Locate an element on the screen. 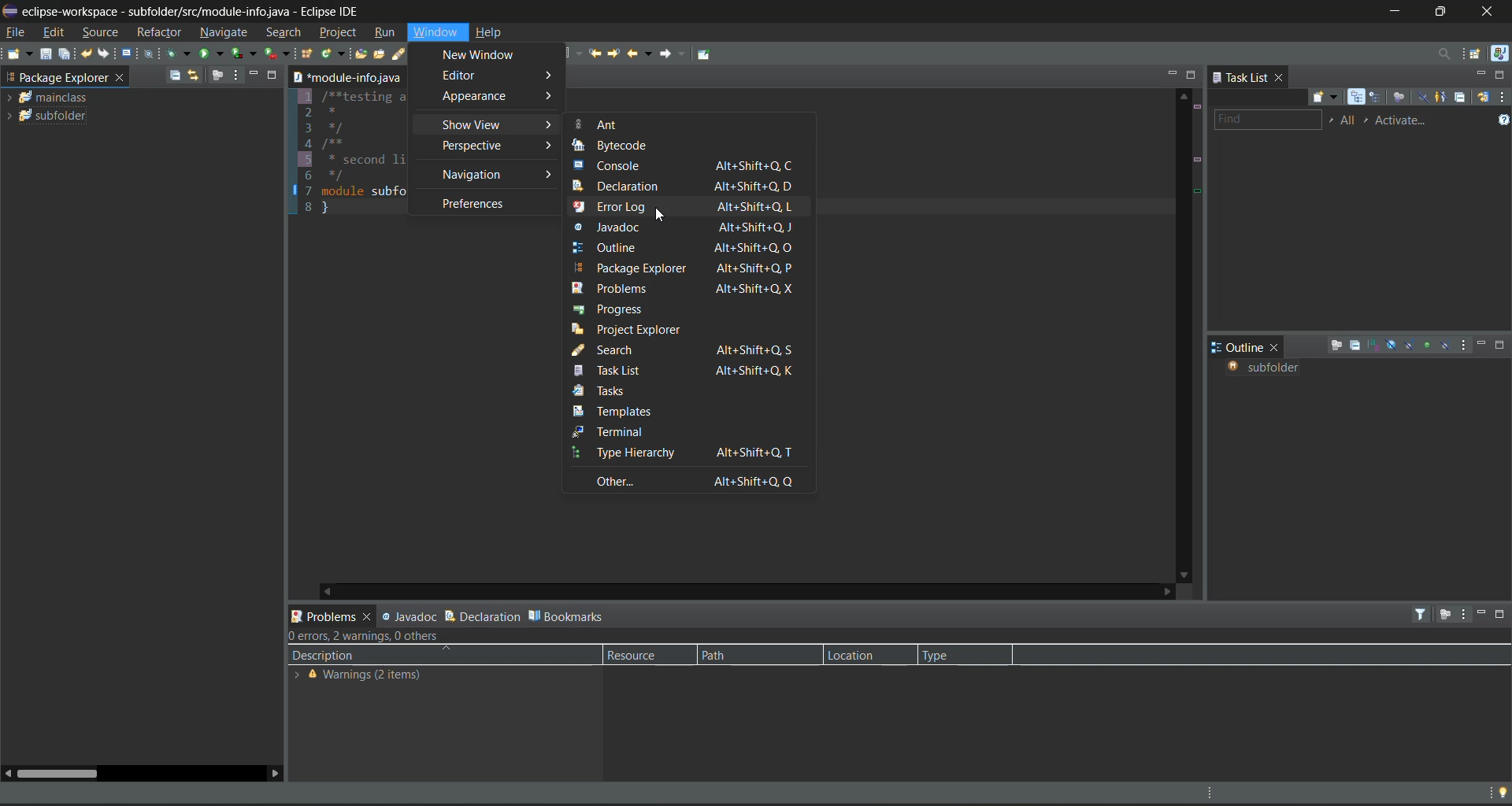 This screenshot has height=806, width=1512. forward is located at coordinates (675, 57).